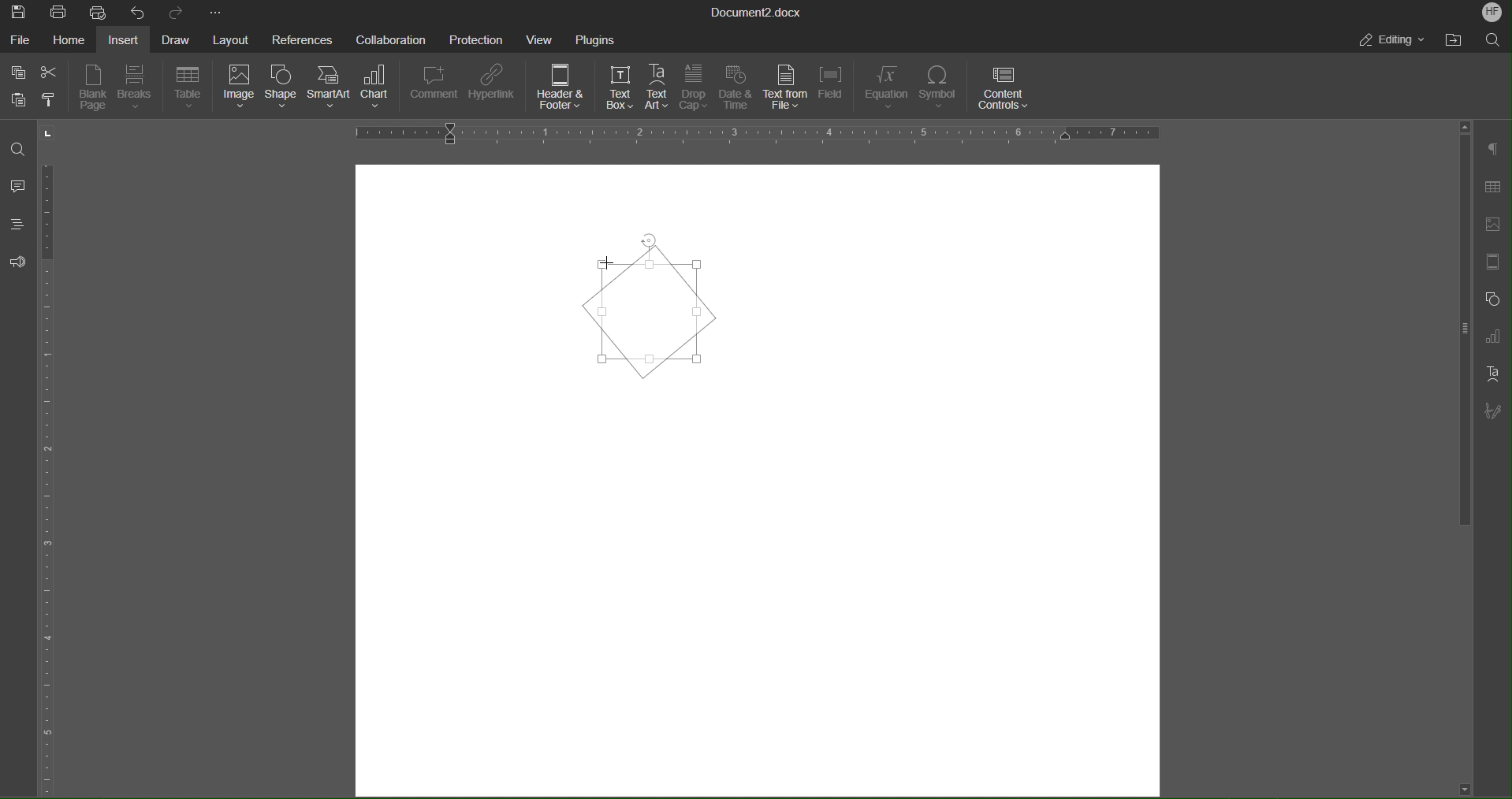 This screenshot has width=1512, height=799. Describe the element at coordinates (50, 474) in the screenshot. I see `Vertical Ruler` at that location.